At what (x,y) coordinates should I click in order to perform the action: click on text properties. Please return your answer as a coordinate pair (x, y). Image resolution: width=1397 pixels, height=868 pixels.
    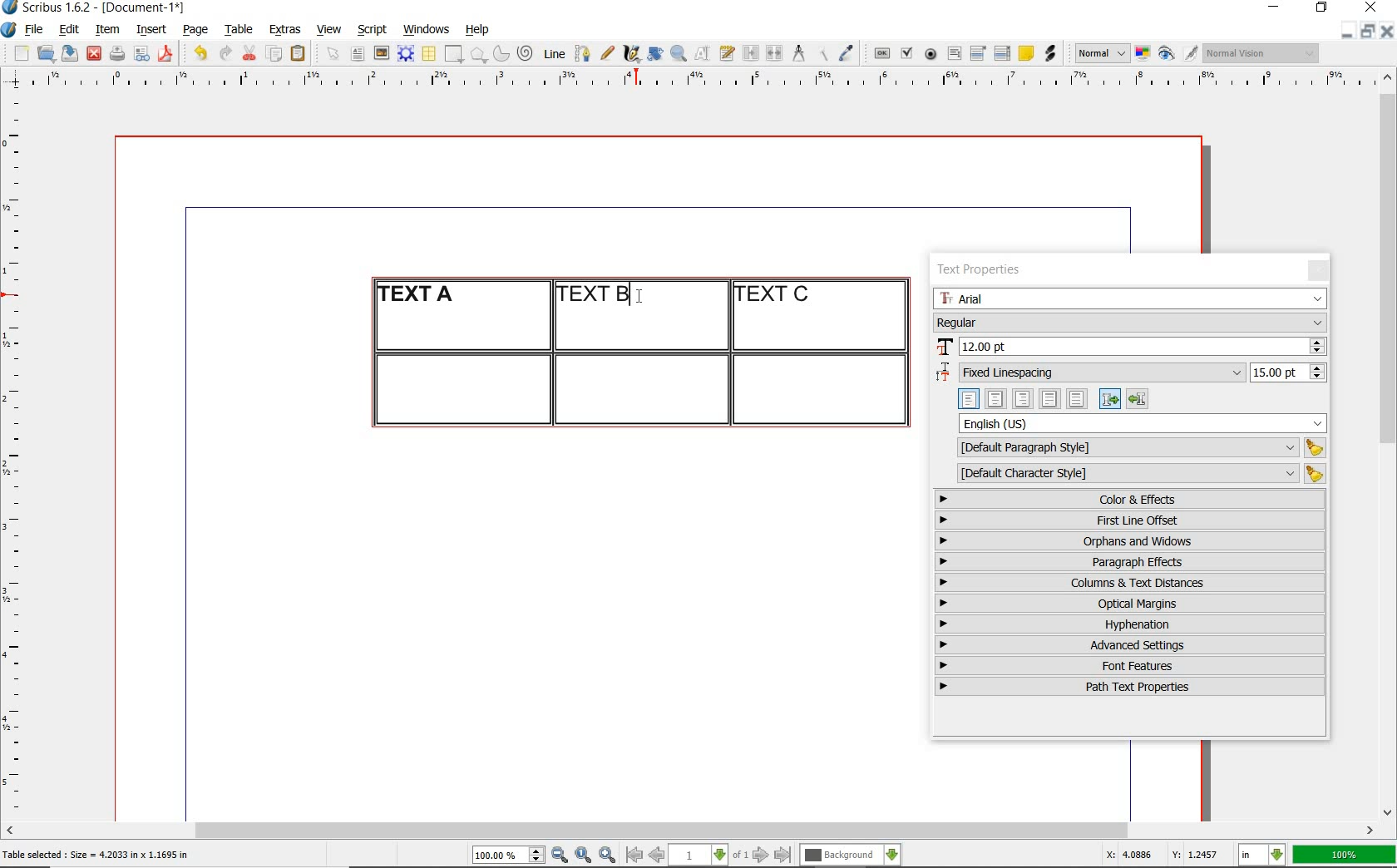
    Looking at the image, I should click on (978, 272).